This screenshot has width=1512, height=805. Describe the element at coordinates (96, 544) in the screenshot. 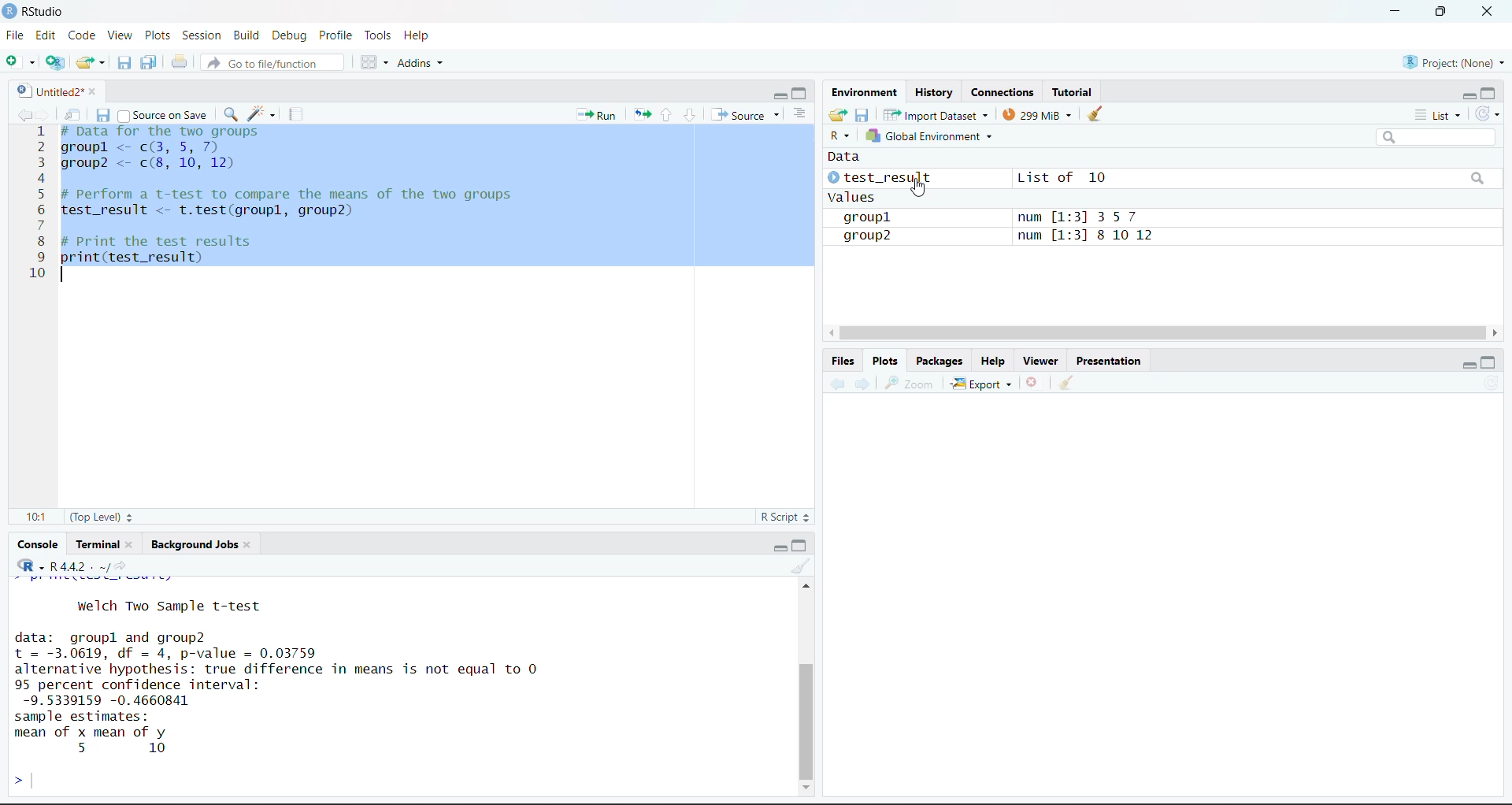

I see `Terminal` at that location.